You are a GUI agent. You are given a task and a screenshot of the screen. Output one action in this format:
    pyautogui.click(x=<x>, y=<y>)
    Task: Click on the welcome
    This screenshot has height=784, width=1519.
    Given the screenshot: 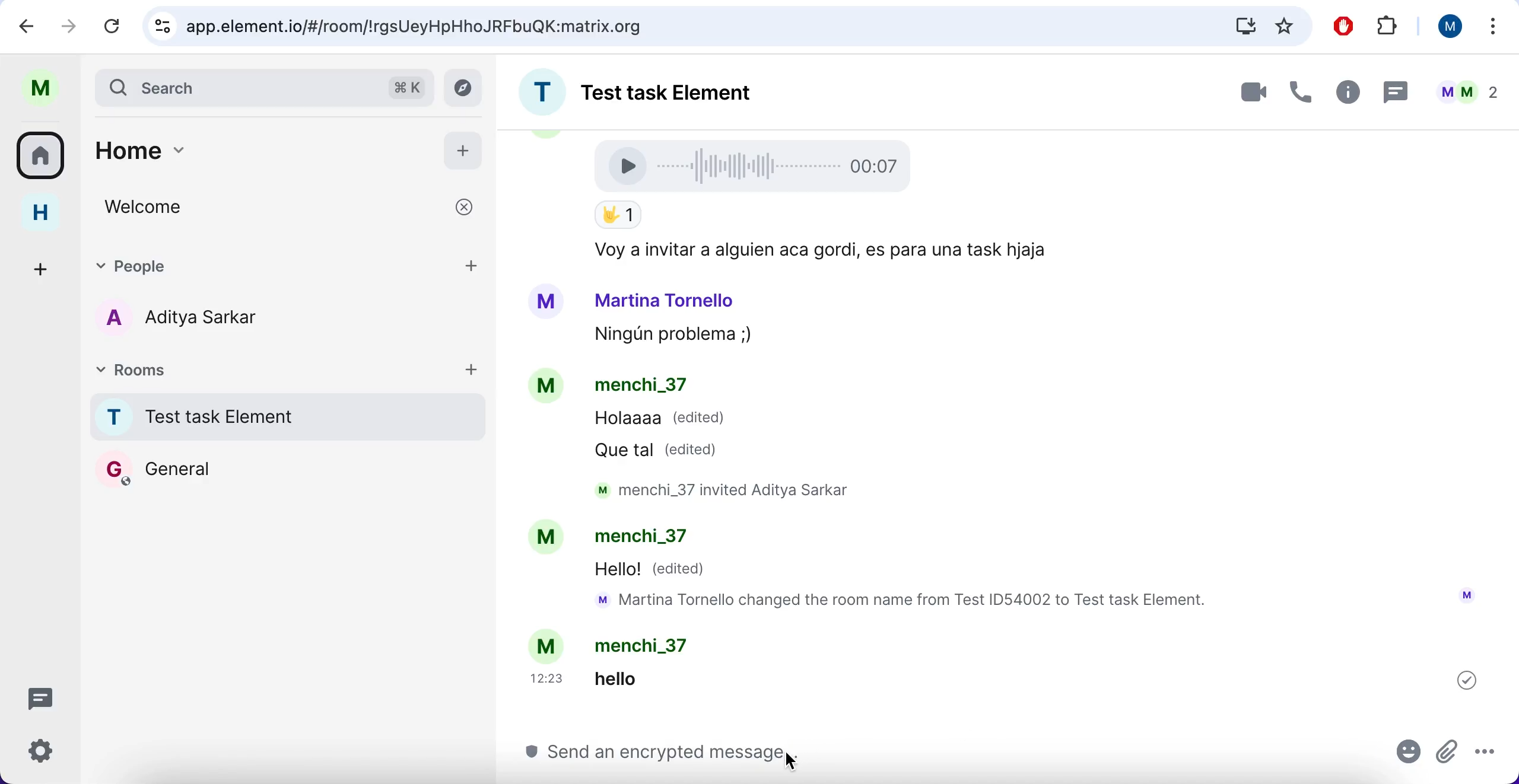 What is the action you would take?
    pyautogui.click(x=291, y=207)
    